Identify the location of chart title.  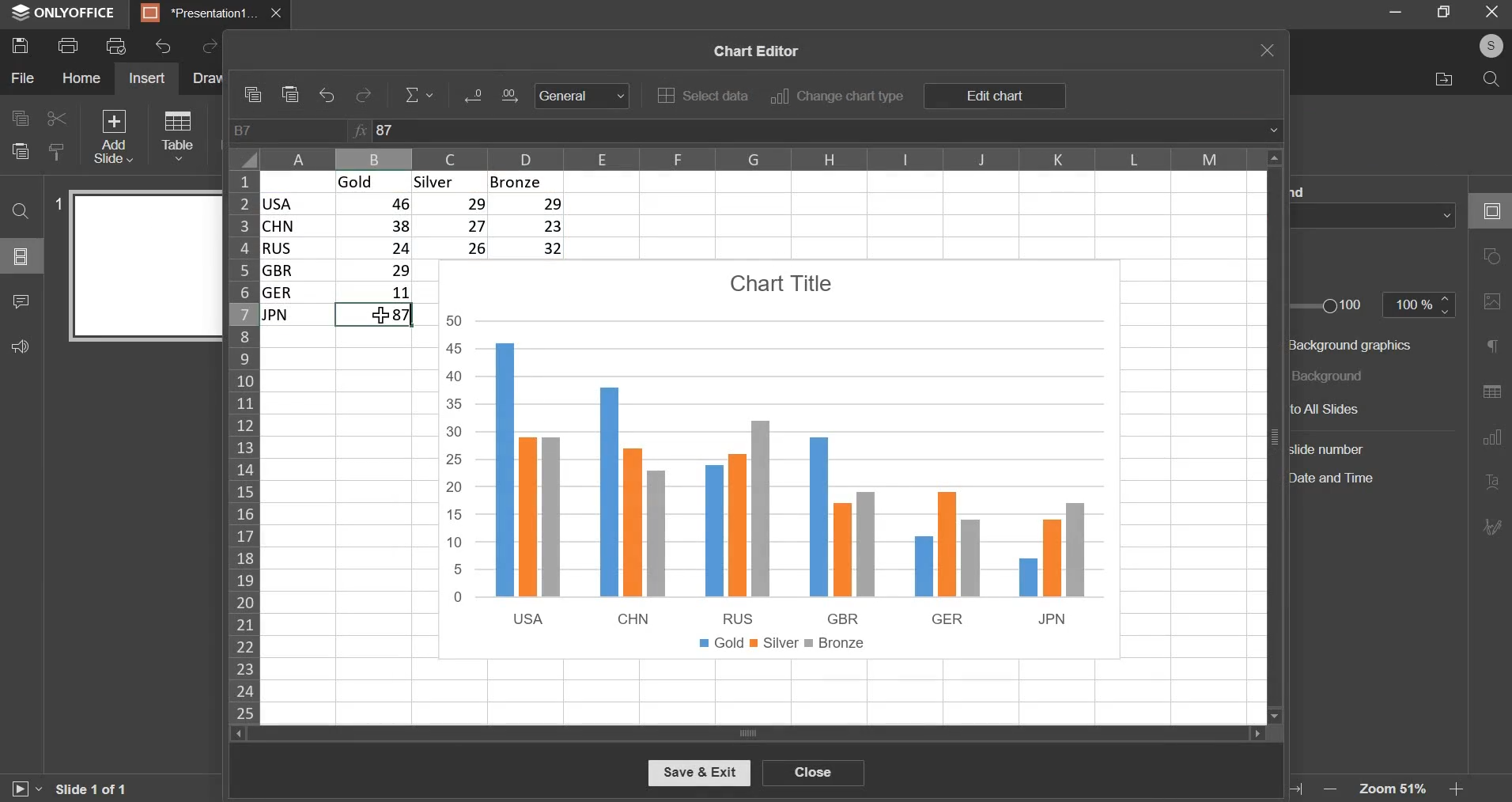
(779, 282).